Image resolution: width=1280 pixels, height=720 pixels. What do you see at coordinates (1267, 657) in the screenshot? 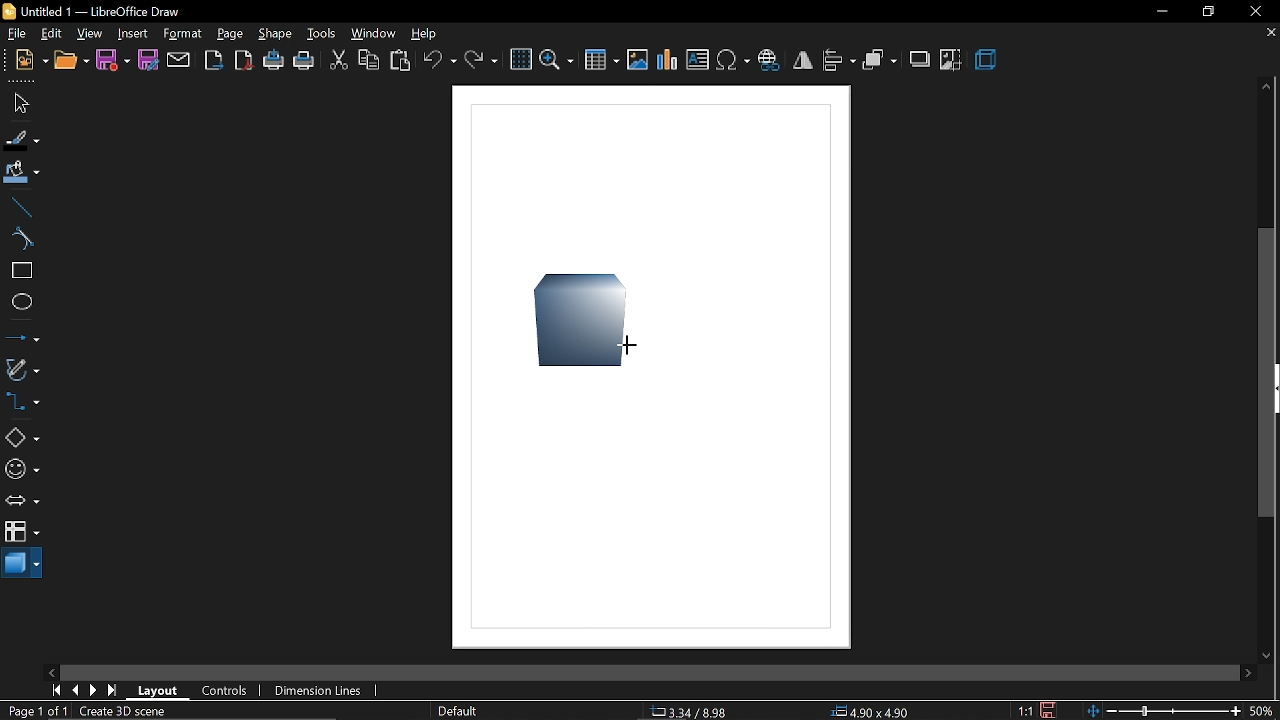
I see `move down` at bounding box center [1267, 657].